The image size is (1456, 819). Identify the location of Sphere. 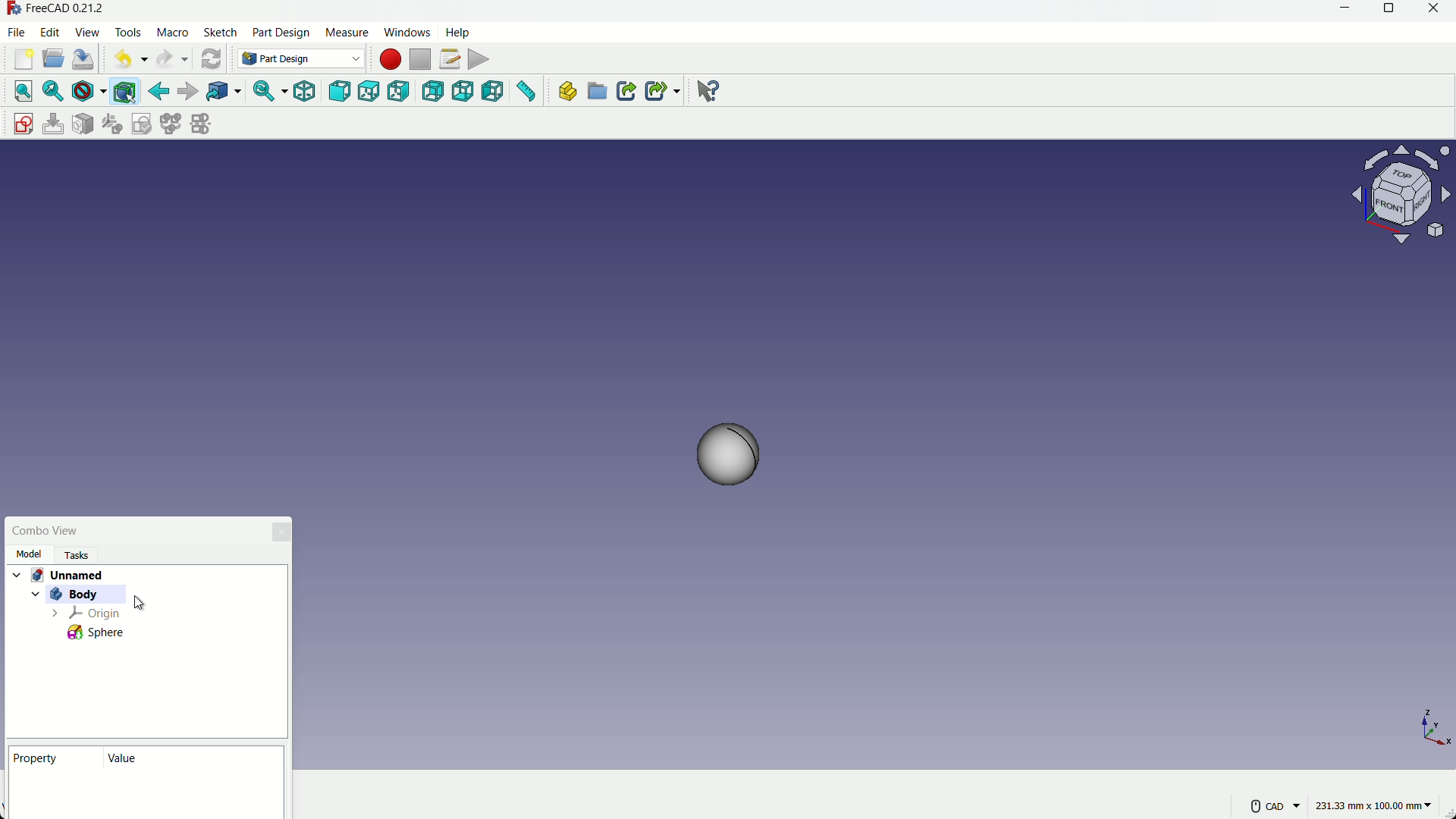
(98, 633).